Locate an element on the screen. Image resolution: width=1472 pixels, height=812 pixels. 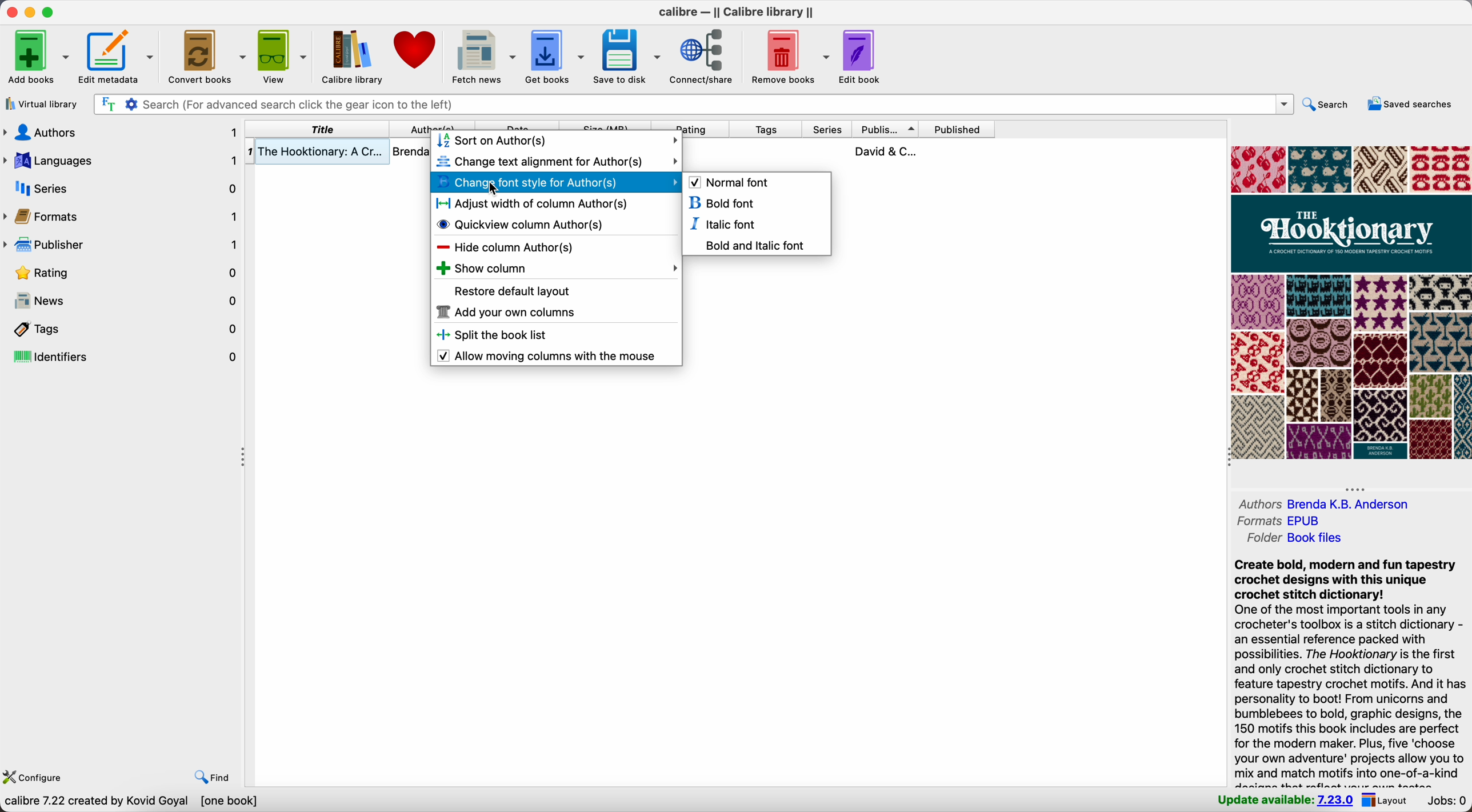
show column is located at coordinates (556, 268).